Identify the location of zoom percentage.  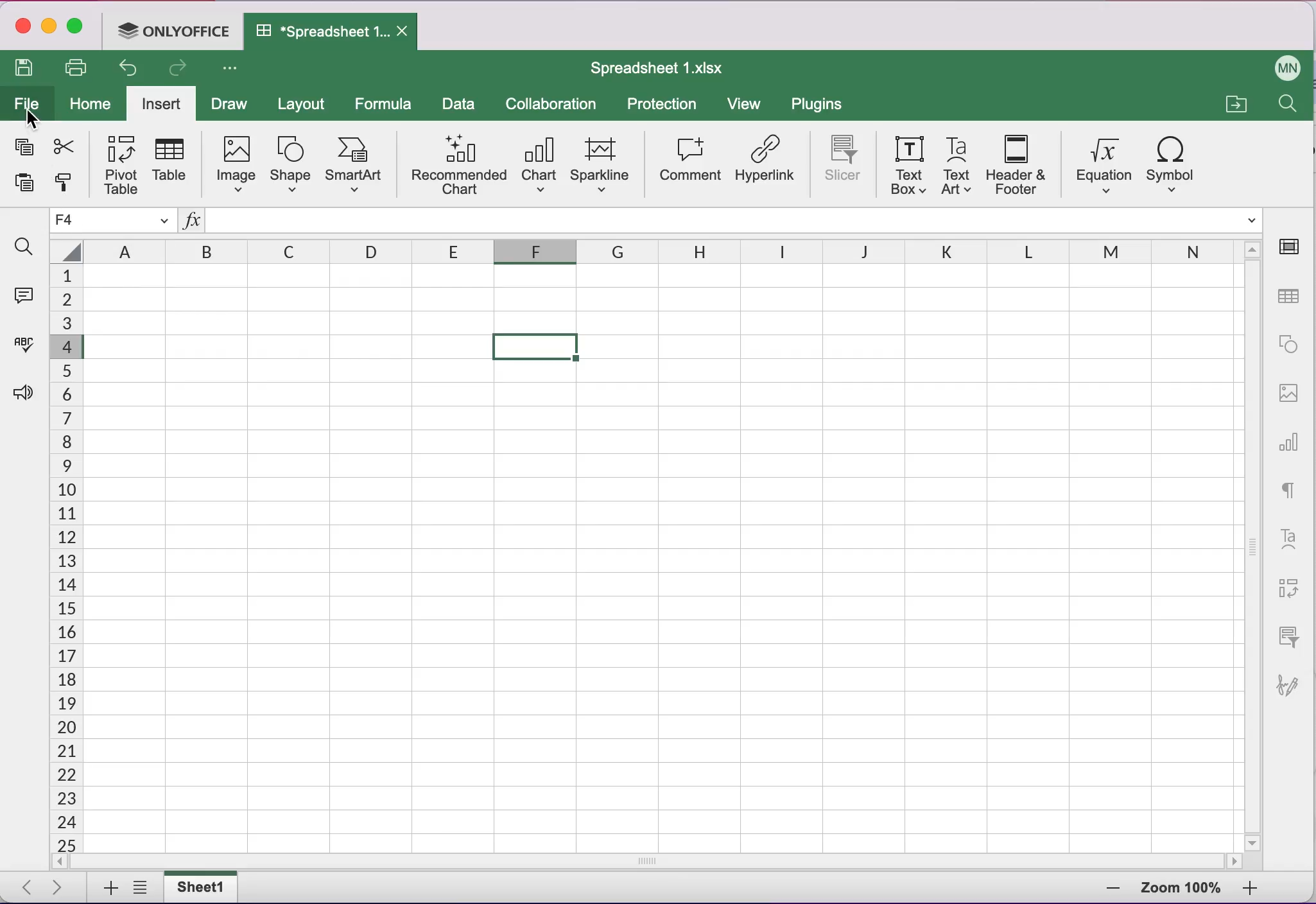
(1181, 888).